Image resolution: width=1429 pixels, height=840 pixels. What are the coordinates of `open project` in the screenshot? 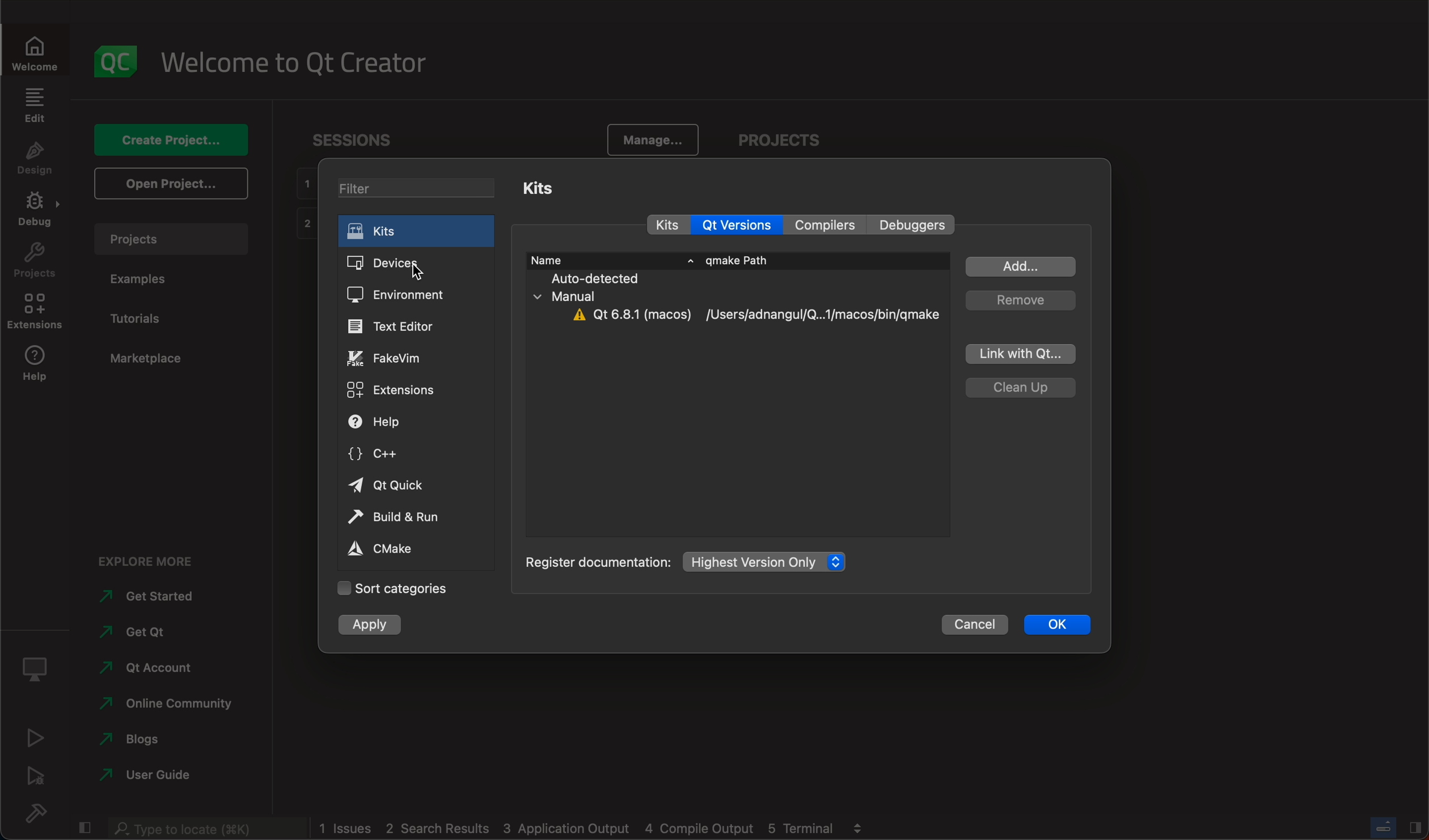 It's located at (171, 184).